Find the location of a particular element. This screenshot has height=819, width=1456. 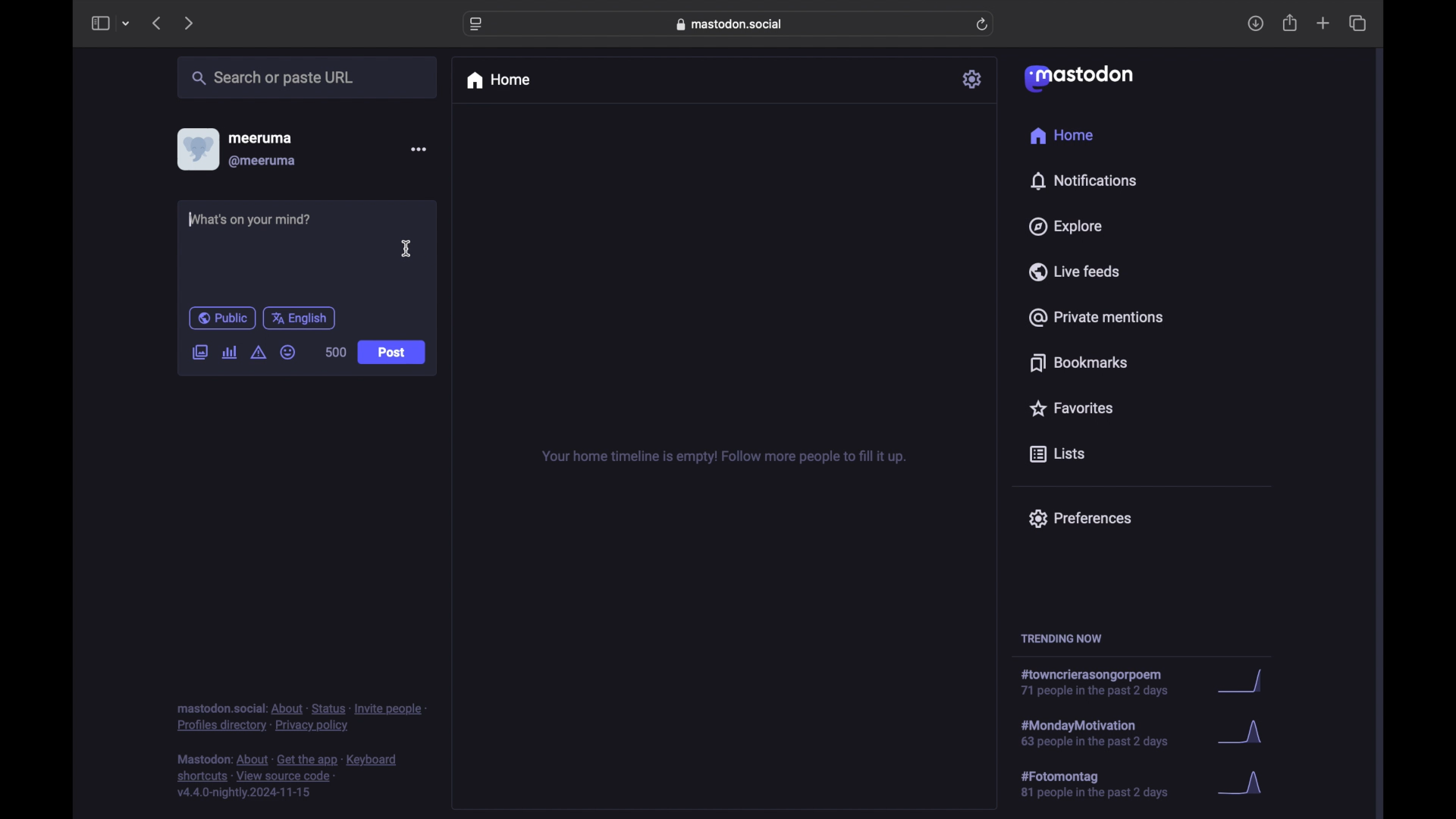

notifications is located at coordinates (1083, 181).